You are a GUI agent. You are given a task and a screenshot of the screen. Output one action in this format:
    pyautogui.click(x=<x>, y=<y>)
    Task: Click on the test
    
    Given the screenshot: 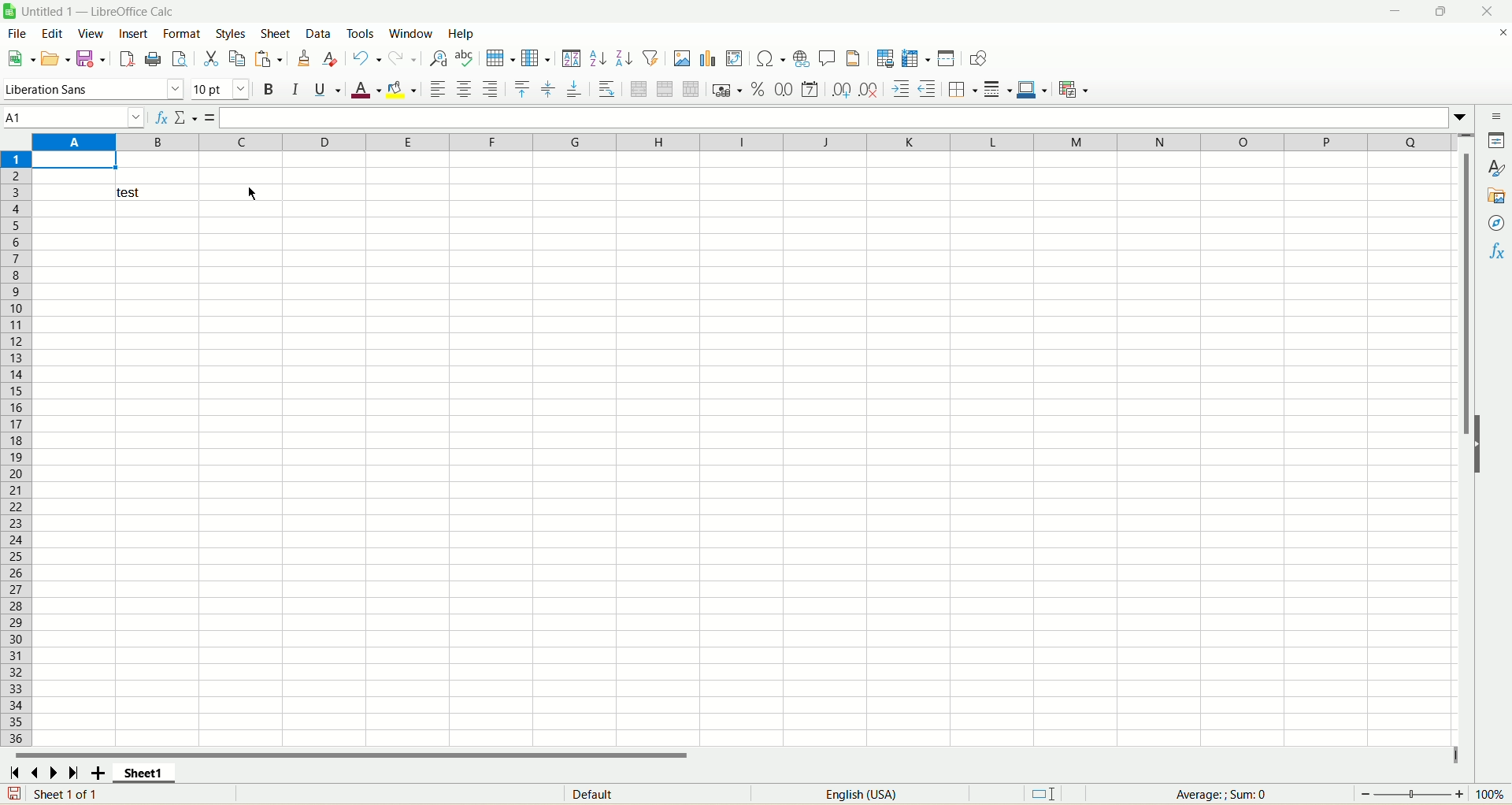 What is the action you would take?
    pyautogui.click(x=157, y=192)
    